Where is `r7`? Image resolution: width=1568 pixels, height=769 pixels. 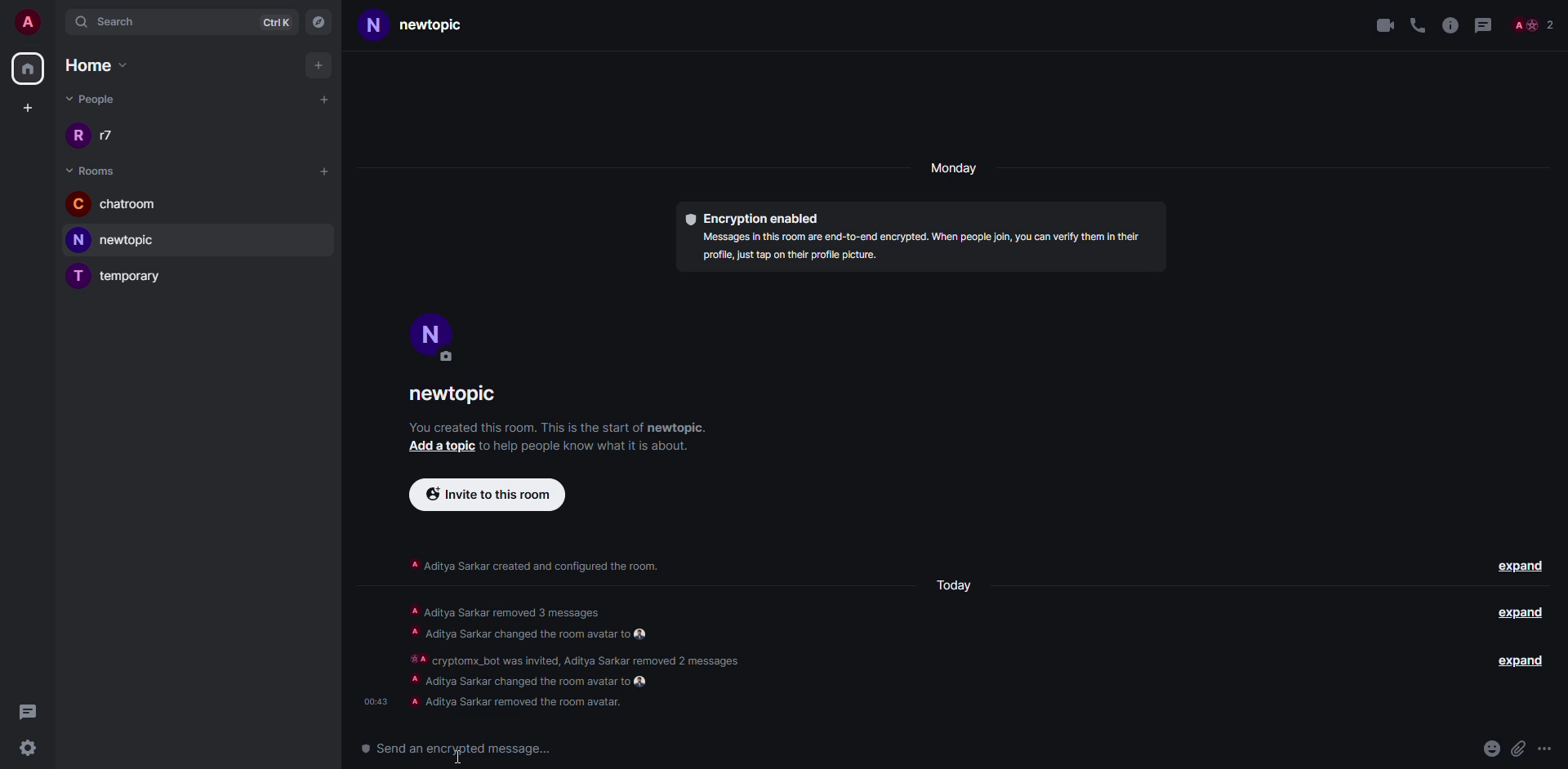 r7 is located at coordinates (99, 137).